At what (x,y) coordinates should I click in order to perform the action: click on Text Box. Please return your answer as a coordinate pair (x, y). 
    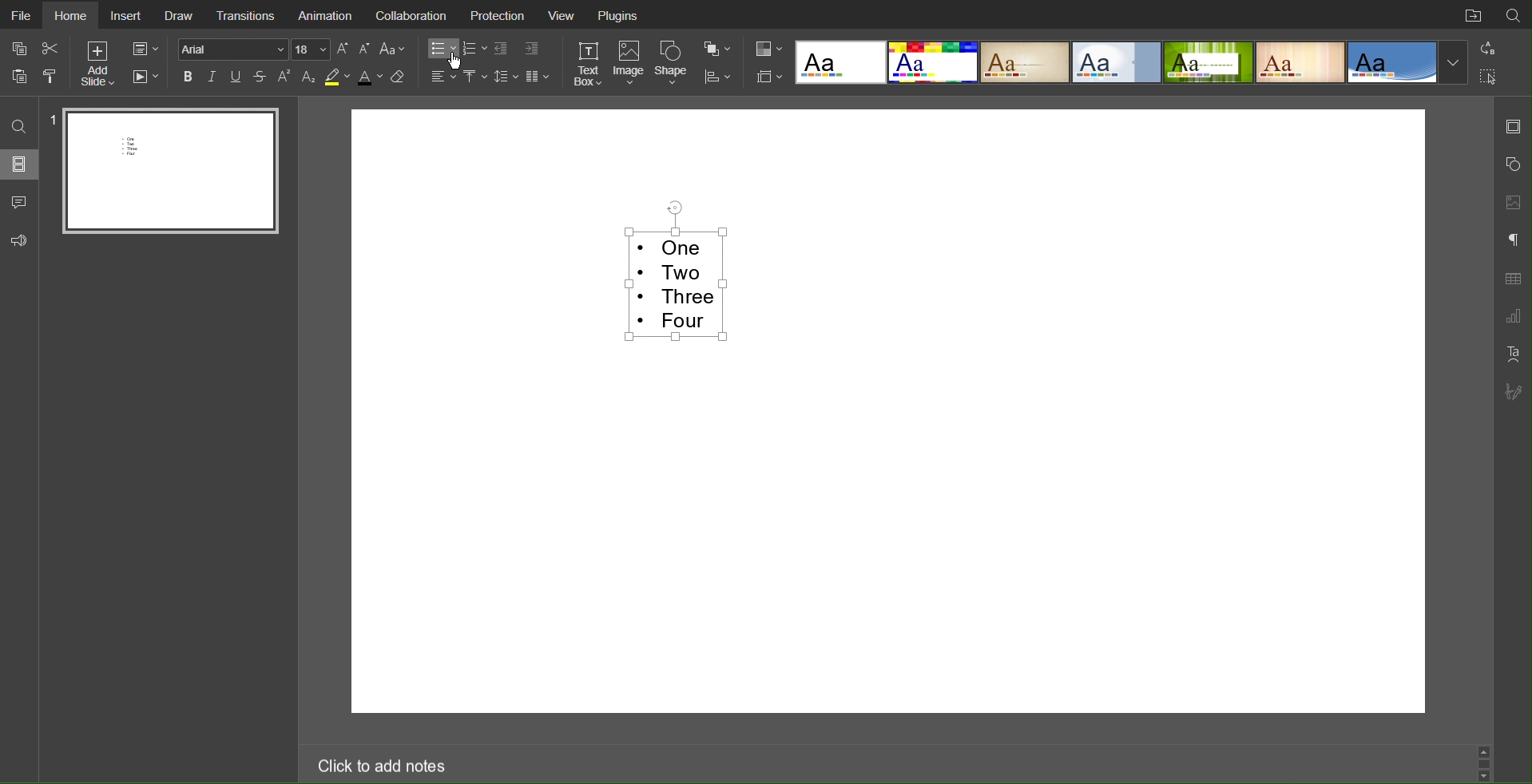
    Looking at the image, I should click on (587, 65).